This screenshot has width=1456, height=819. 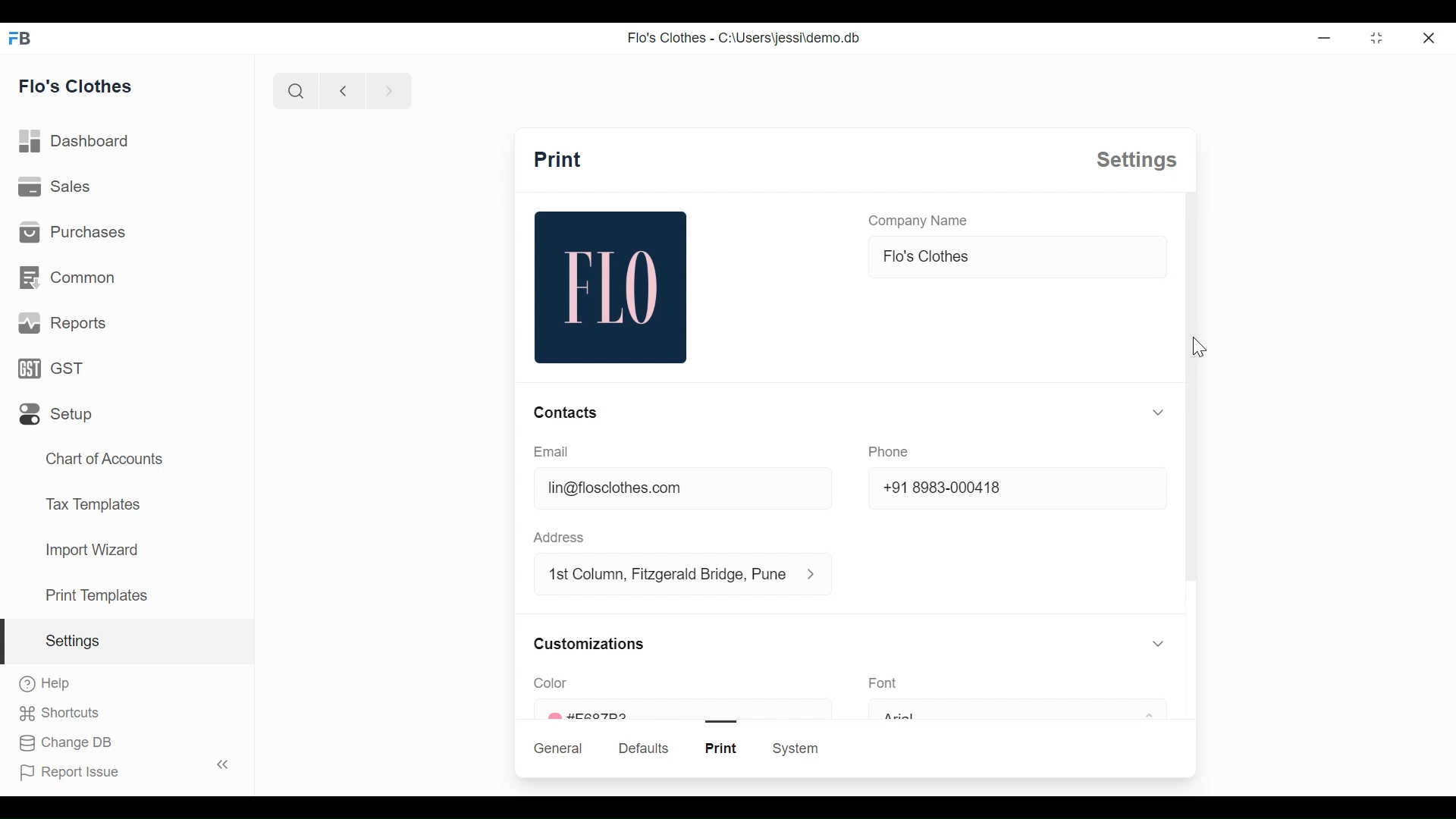 I want to click on reports, so click(x=64, y=323).